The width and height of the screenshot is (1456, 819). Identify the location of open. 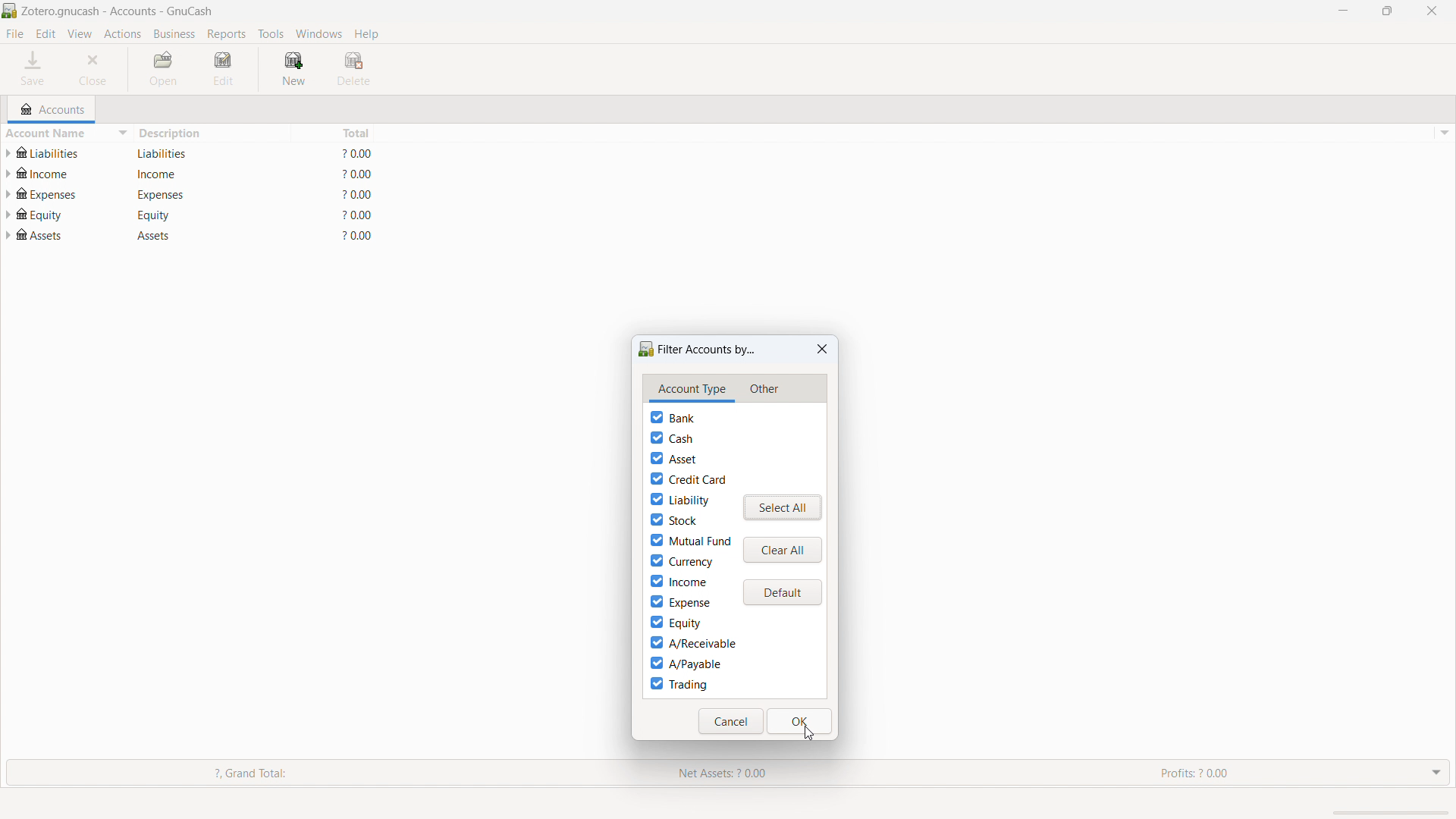
(166, 69).